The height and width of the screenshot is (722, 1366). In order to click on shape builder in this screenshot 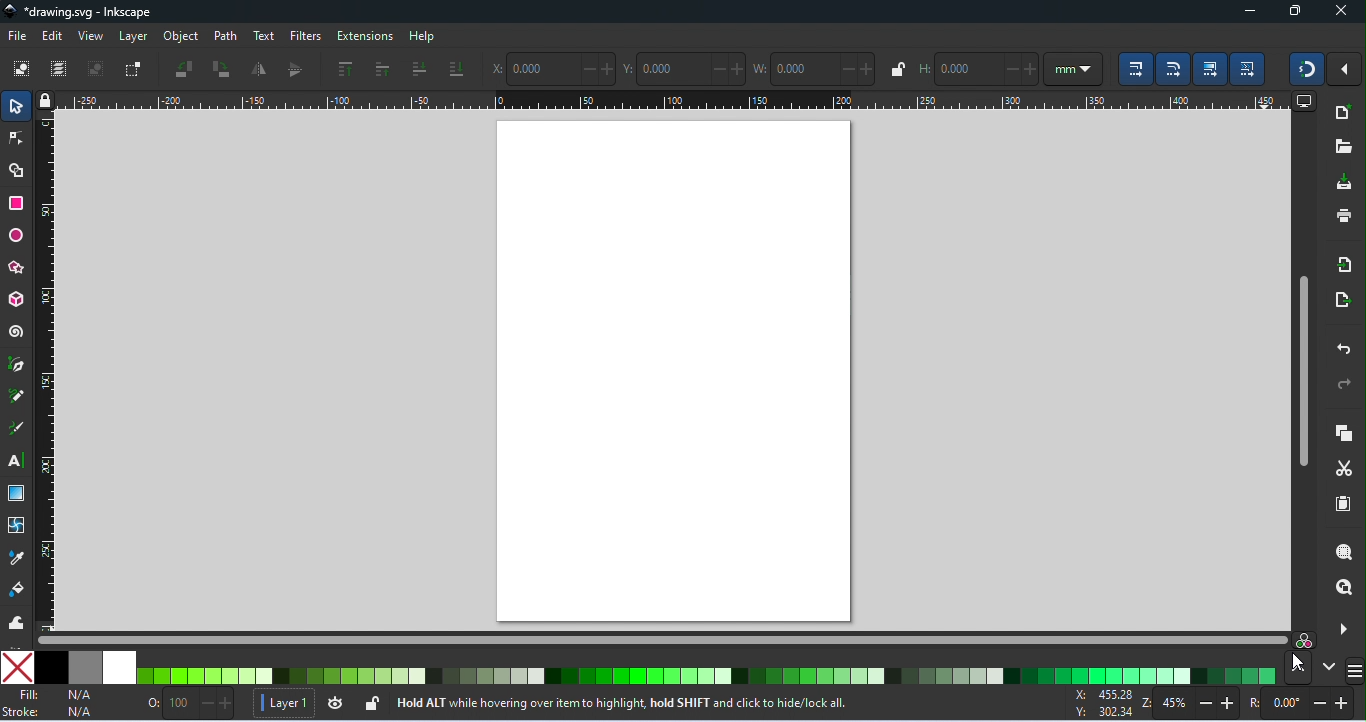, I will do `click(16, 170)`.